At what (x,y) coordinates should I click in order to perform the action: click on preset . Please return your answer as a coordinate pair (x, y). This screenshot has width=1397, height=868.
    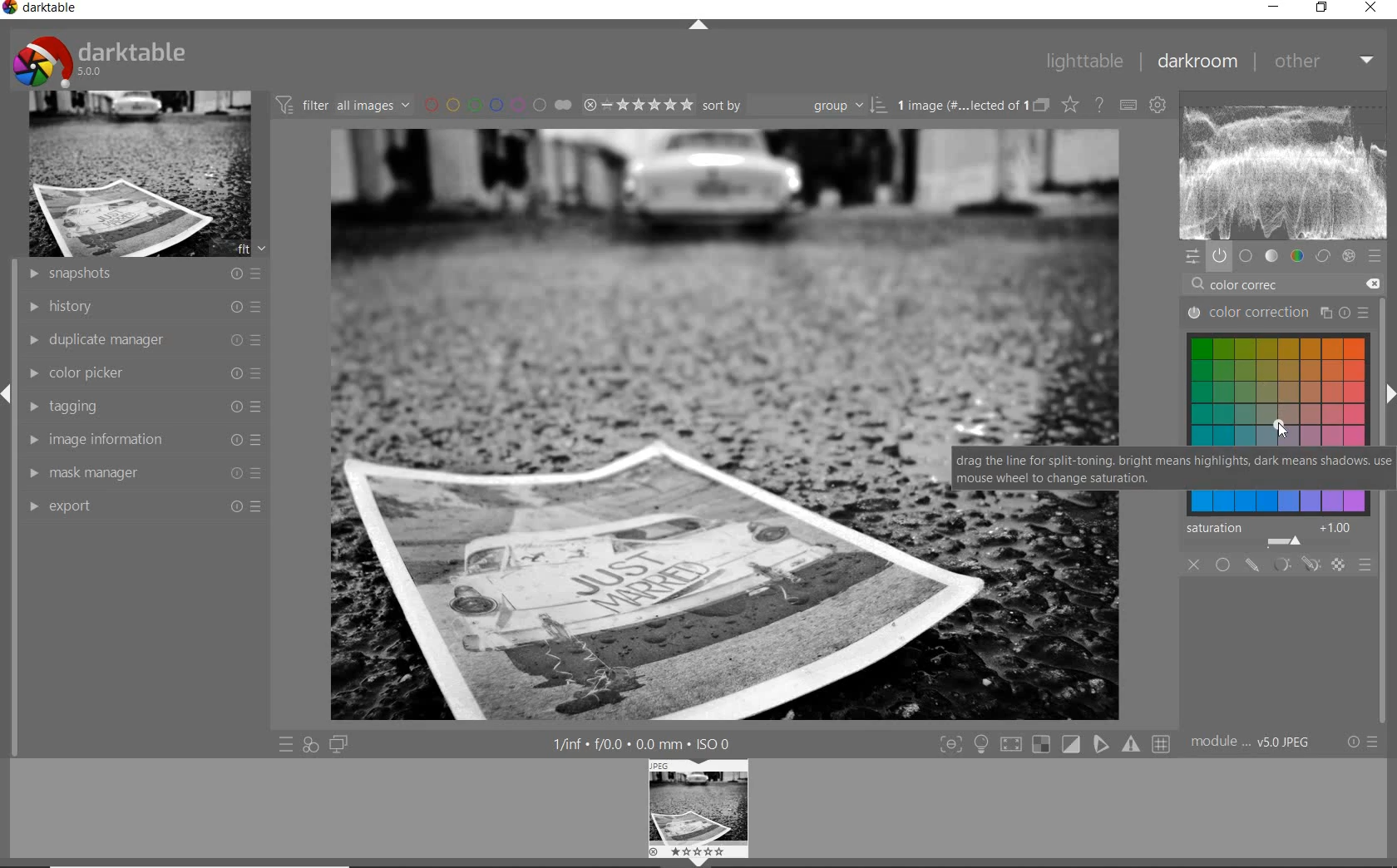
    Looking at the image, I should click on (1375, 257).